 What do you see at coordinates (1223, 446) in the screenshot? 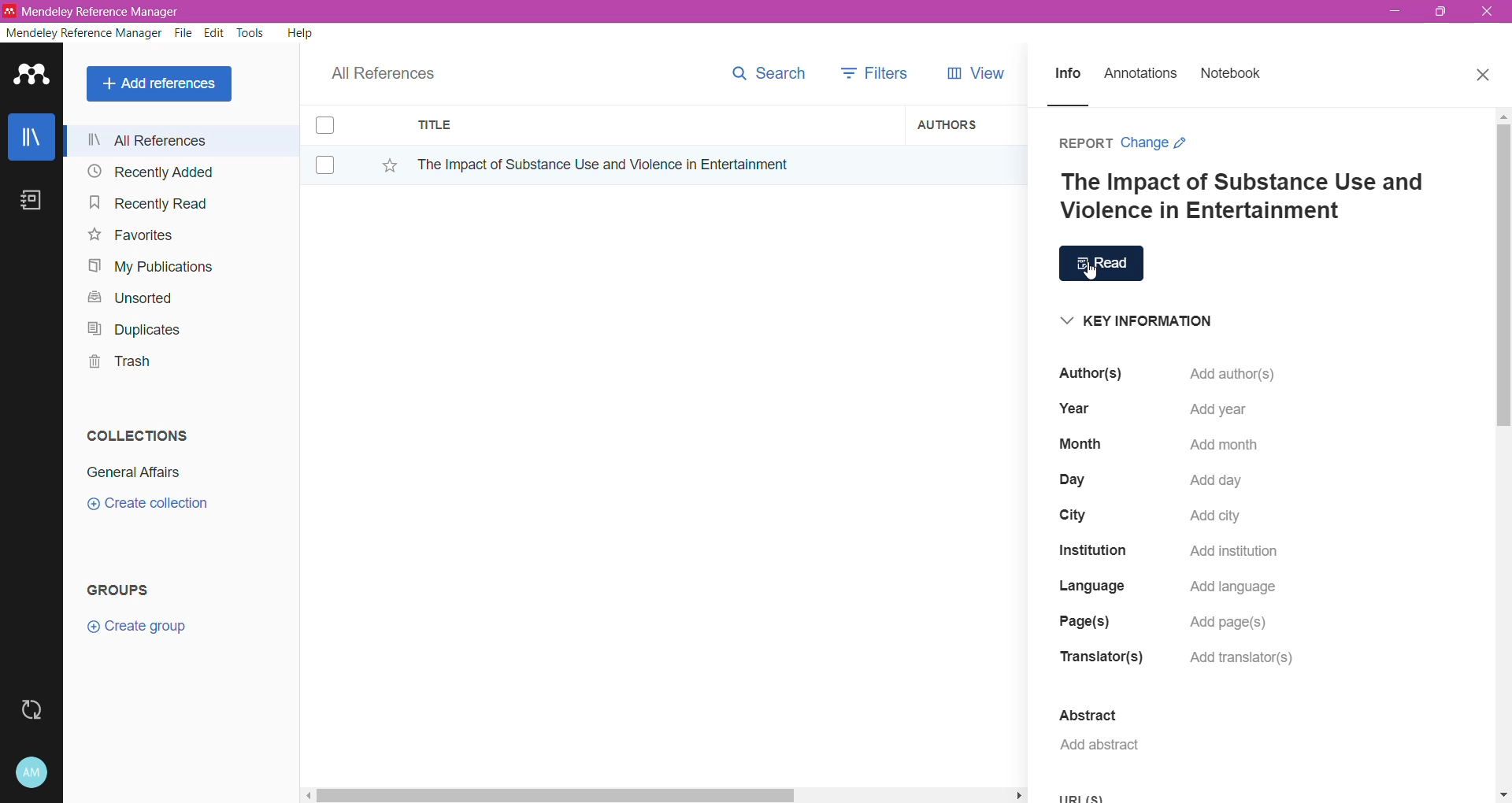
I see `Click to add month` at bounding box center [1223, 446].